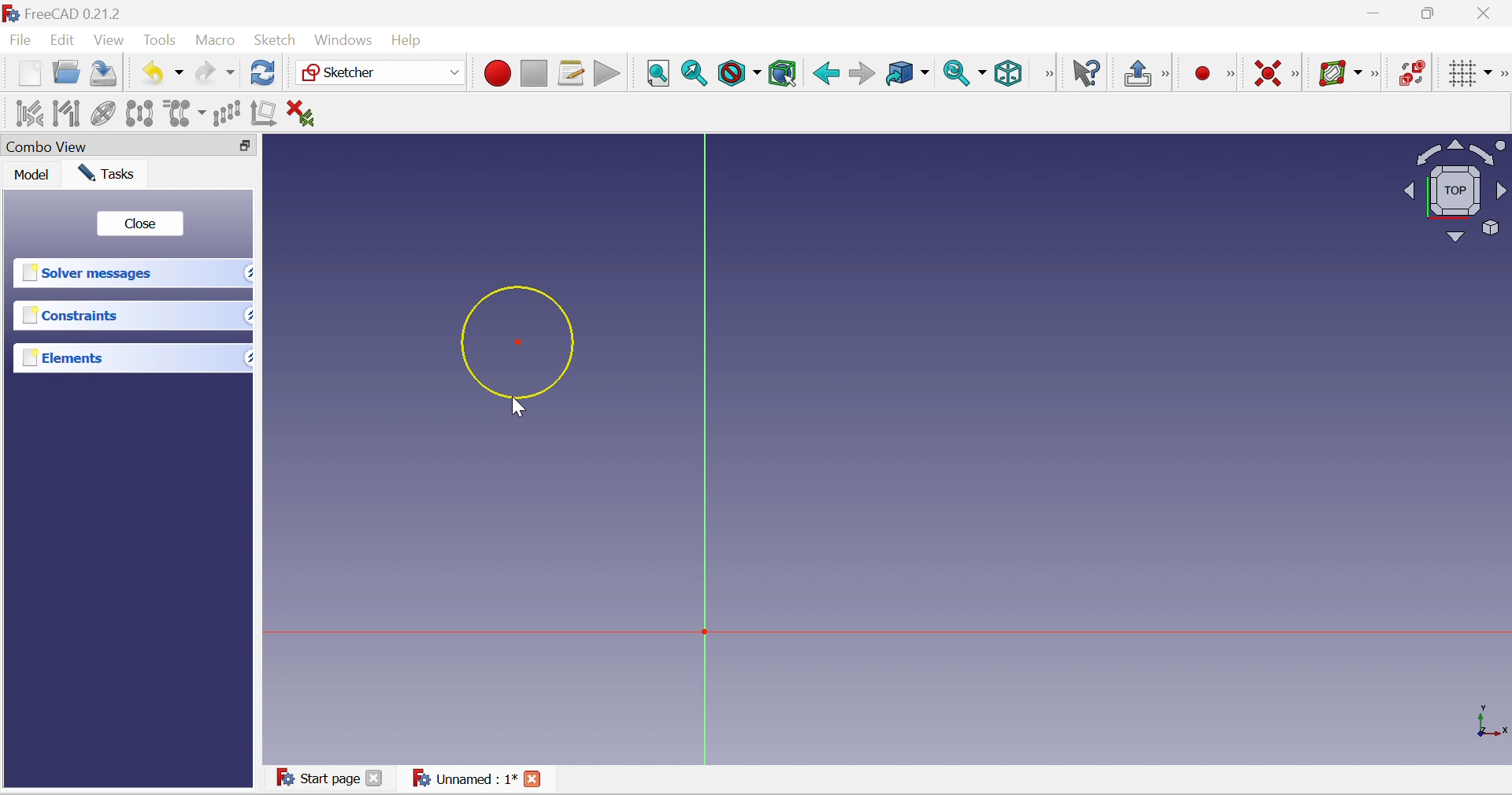 The height and width of the screenshot is (795, 1512). I want to click on Symmetry, so click(140, 113).